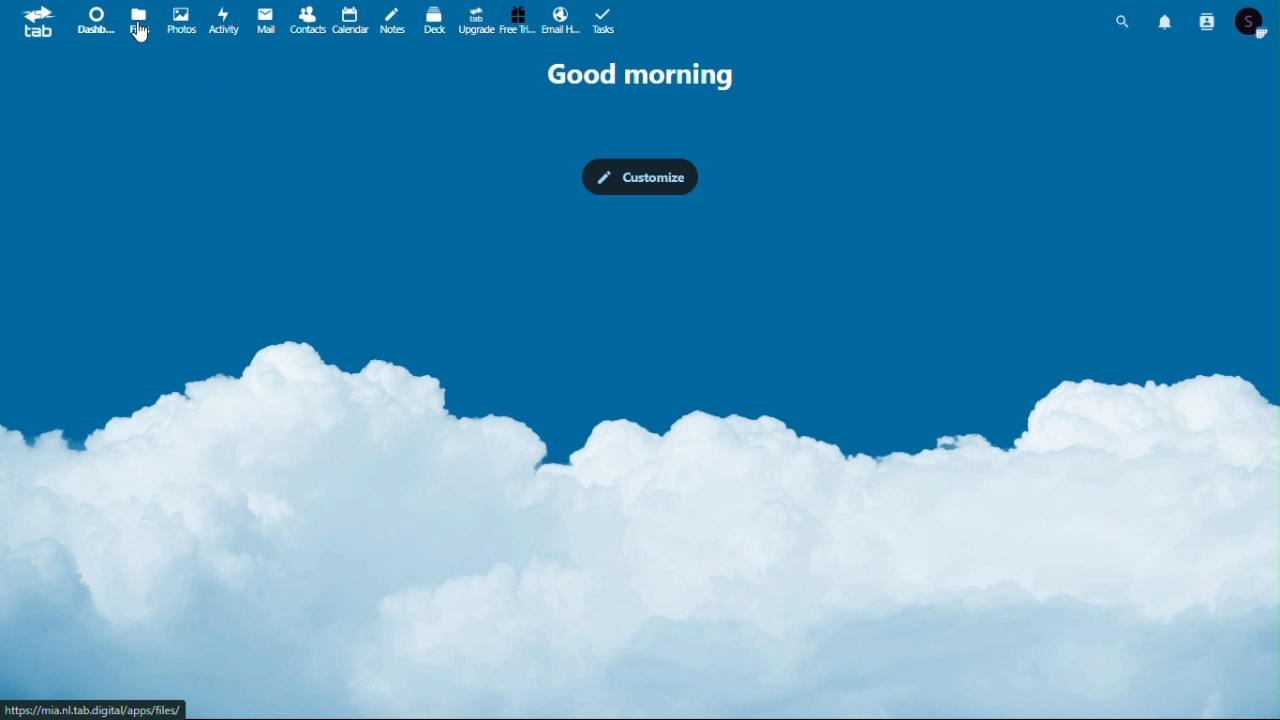 Image resolution: width=1280 pixels, height=720 pixels. What do you see at coordinates (431, 20) in the screenshot?
I see `deck` at bounding box center [431, 20].